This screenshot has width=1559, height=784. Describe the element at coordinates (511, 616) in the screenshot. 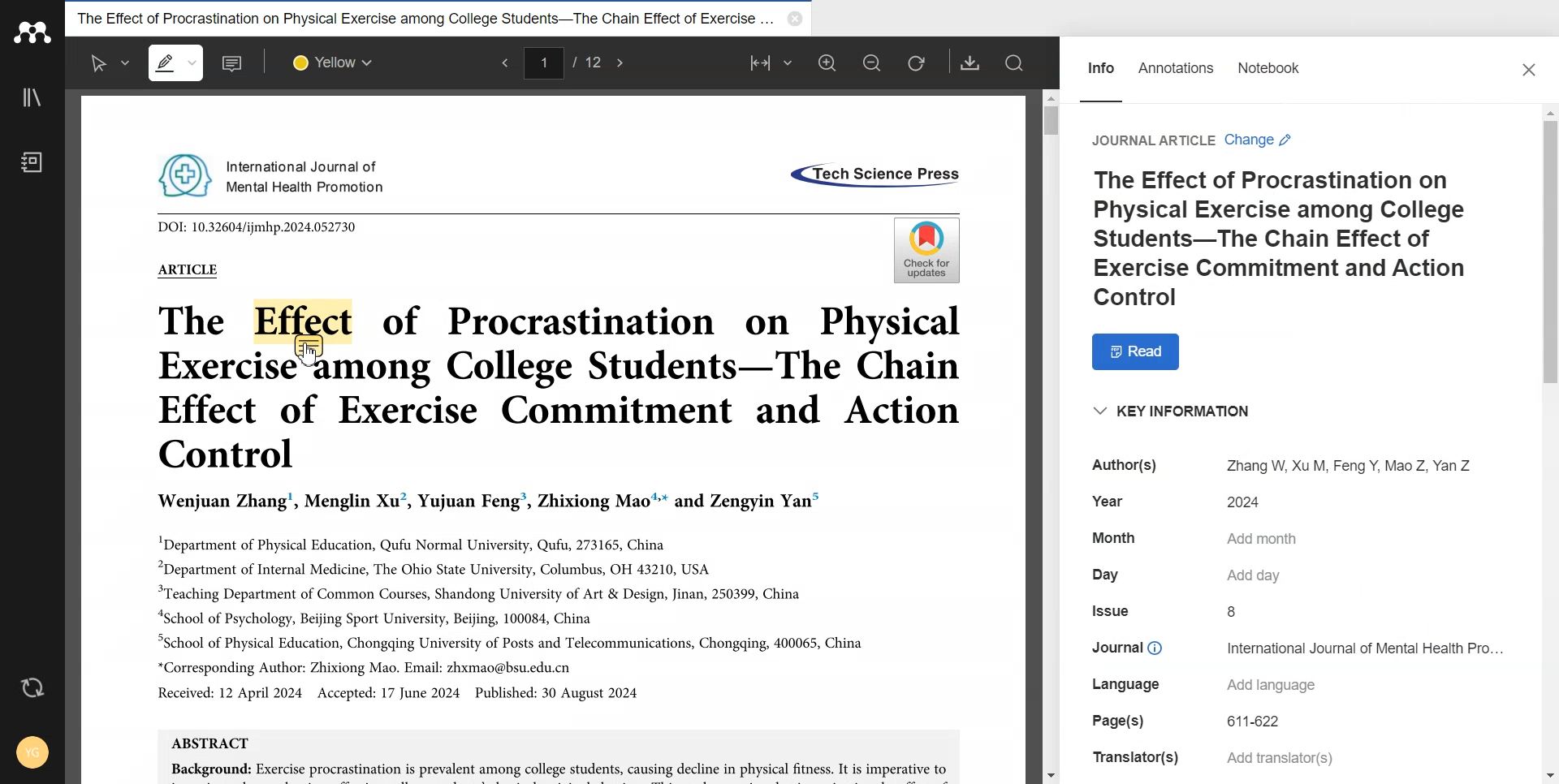

I see `"Department of Physical Education, Qufu Normal University, Qufu, 273165, China

“Department of Internal Medicine, The Ohio State University, Columbus, OH 43210, USA

“Teaching Department of Common Courses, Shandong University of Art & Design, Jinan, 250399, China

“School of Psychology, Beijing Sport University, Beijing, 100084, China

“School of Physical Education, Chongqing University of Posts and Telecommunications, Chongqing, 400065, China
*Corresponding Author: Zhixiong Mao. Email: zhxmao@bsu.edu.cn

Received: 12 April 2024 Accepted: 17 June 2024 Published: 30 August 2024` at that location.